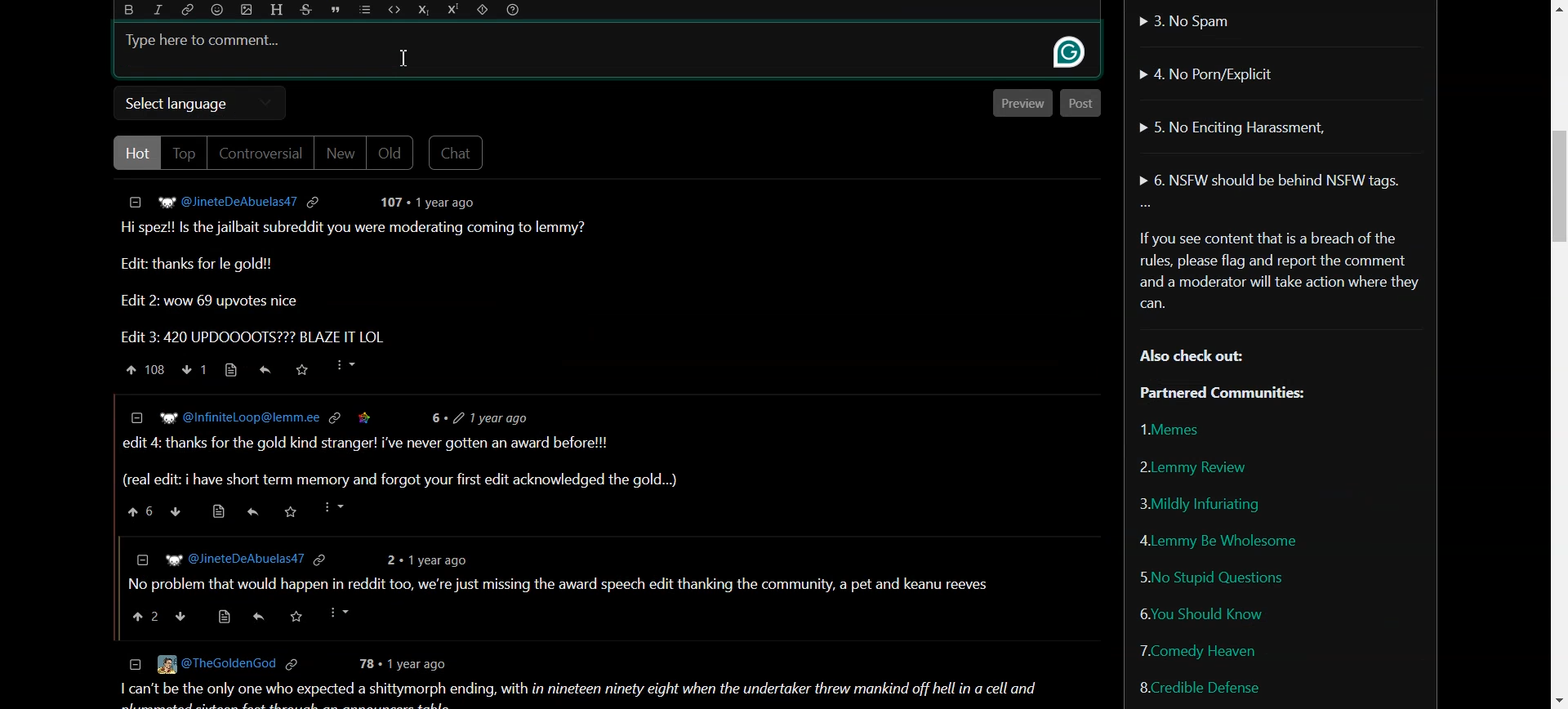 Image resolution: width=1568 pixels, height=709 pixels. I want to click on | No problem that would happen in reddit too, we're just missing the award speech edit thanking the community, a pet and keanu reeves, so click(560, 585).